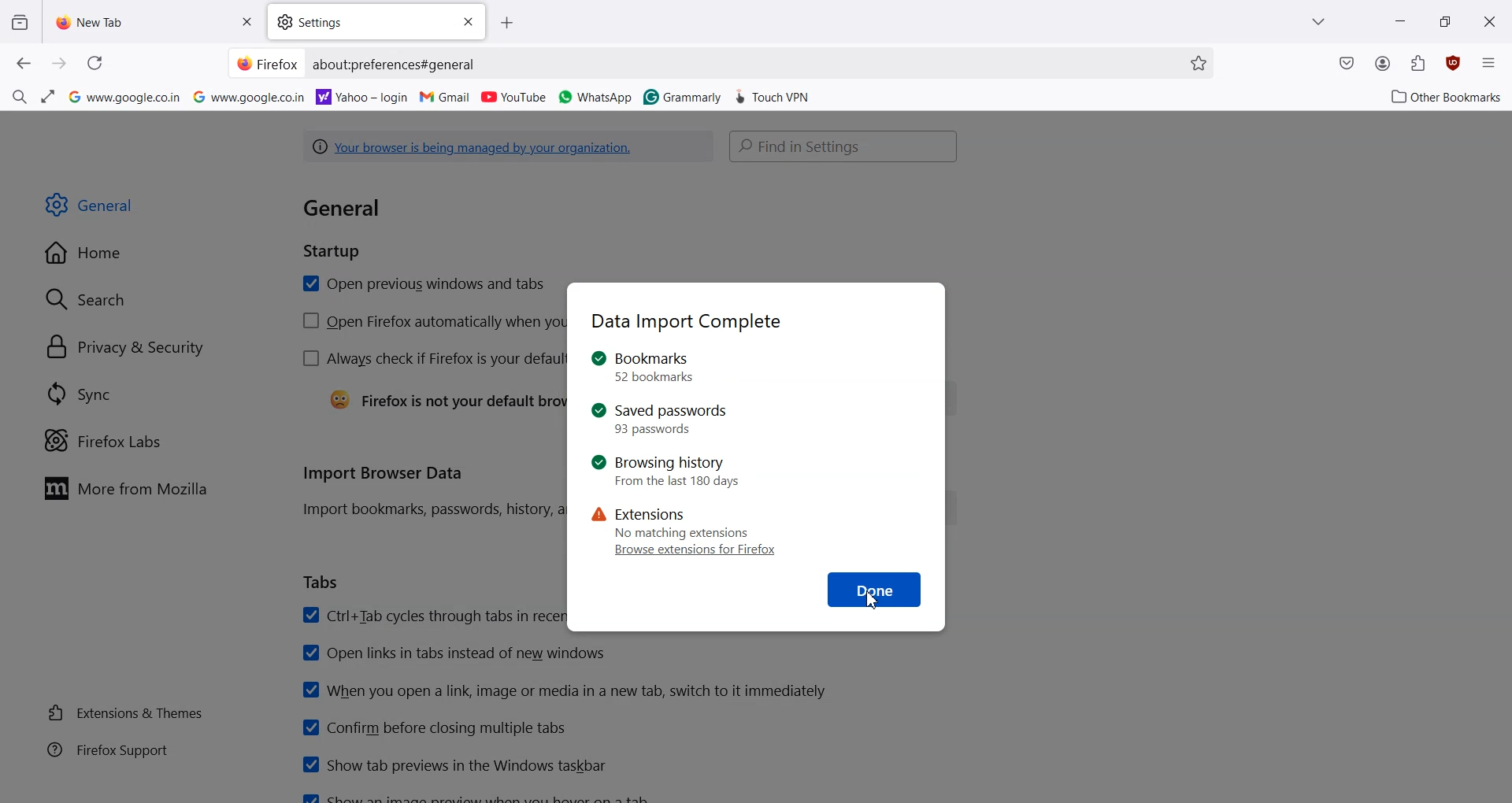  What do you see at coordinates (433, 727) in the screenshot?
I see `Confirm before closing multiple tabs` at bounding box center [433, 727].